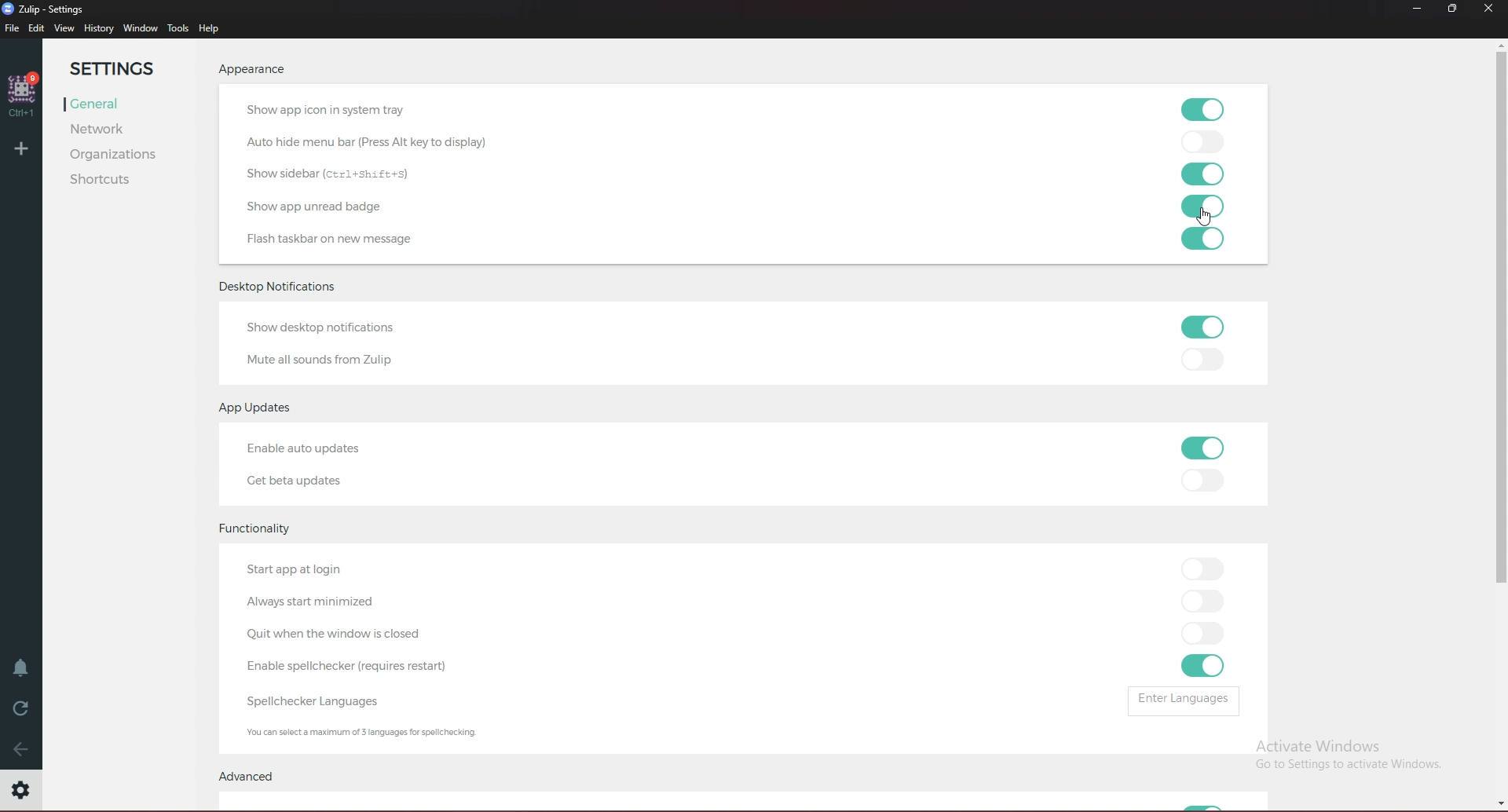  Describe the element at coordinates (21, 148) in the screenshot. I see `Add organization` at that location.